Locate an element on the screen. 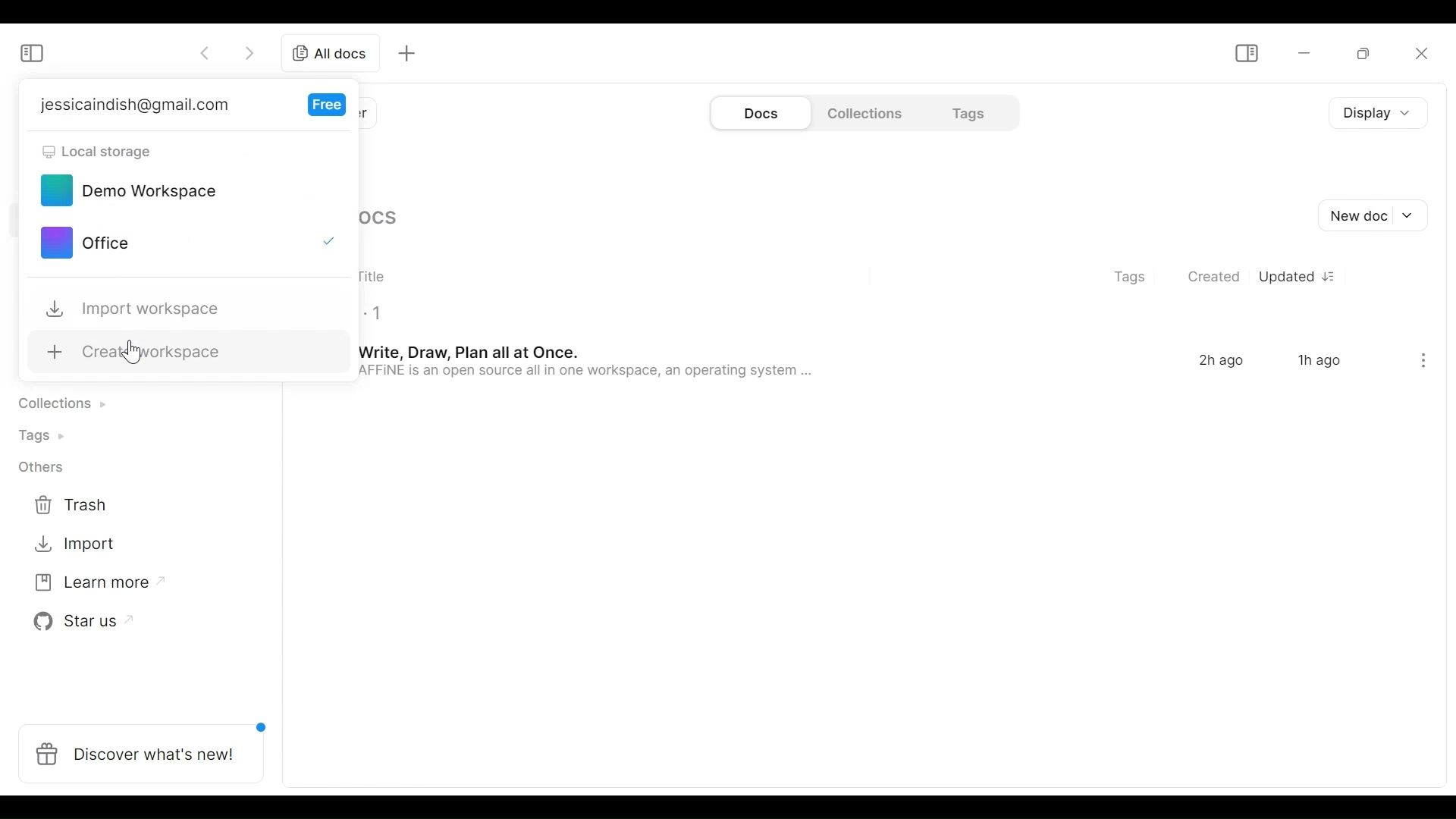 This screenshot has width=1456, height=819. Tags is located at coordinates (33, 435).